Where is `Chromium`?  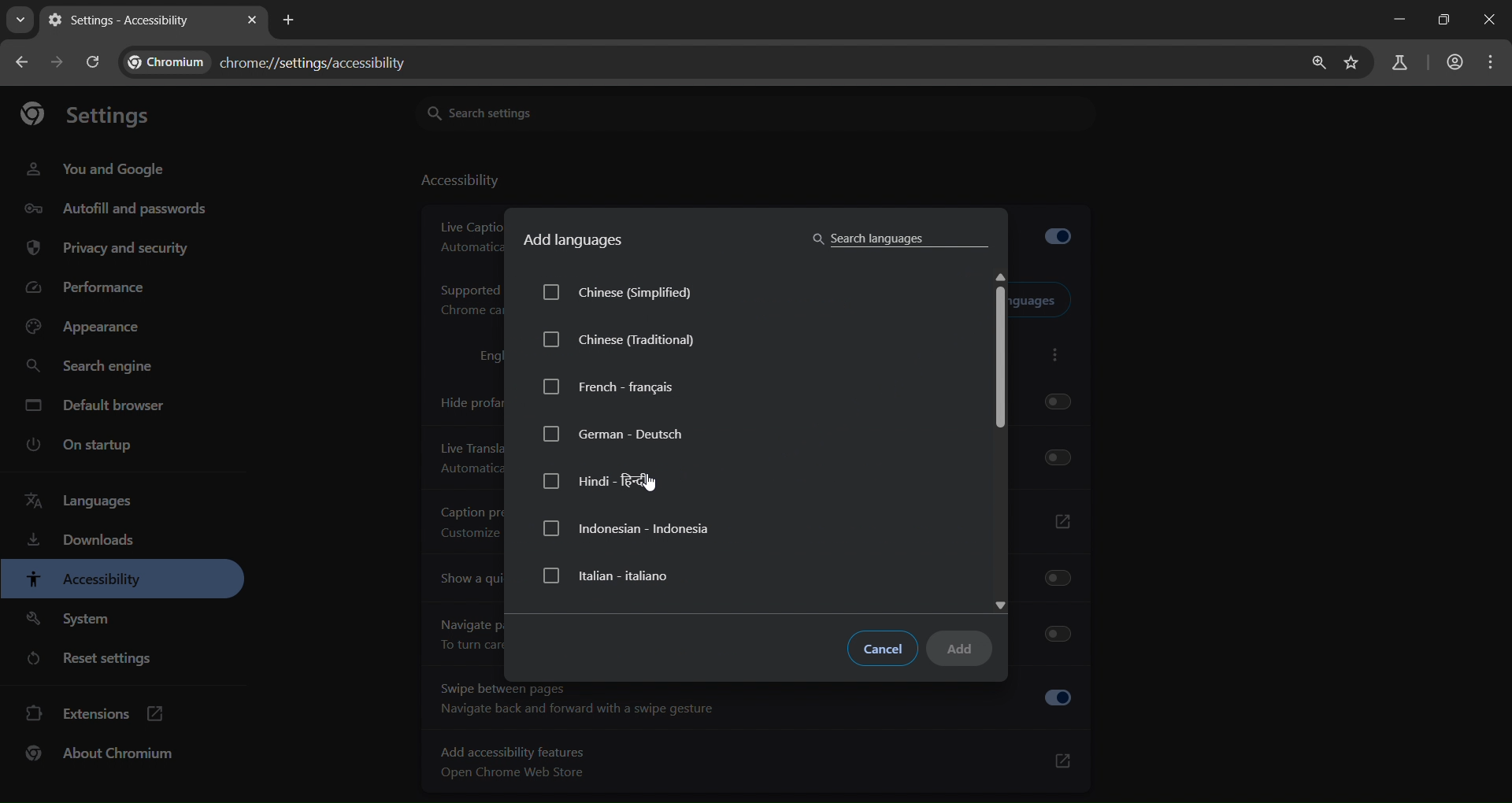 Chromium is located at coordinates (163, 62).